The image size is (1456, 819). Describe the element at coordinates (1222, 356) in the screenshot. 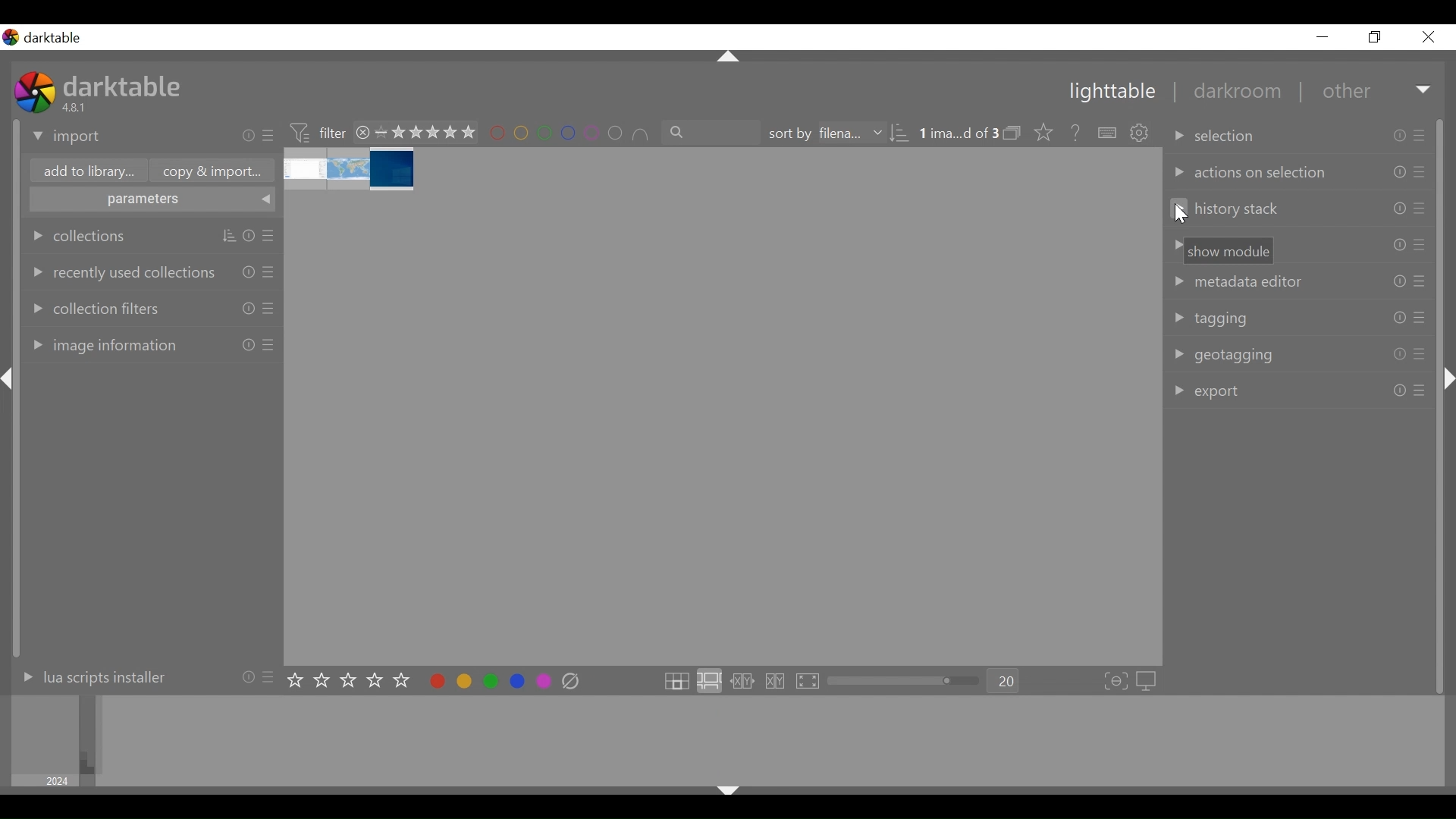

I see `geotagging` at that location.